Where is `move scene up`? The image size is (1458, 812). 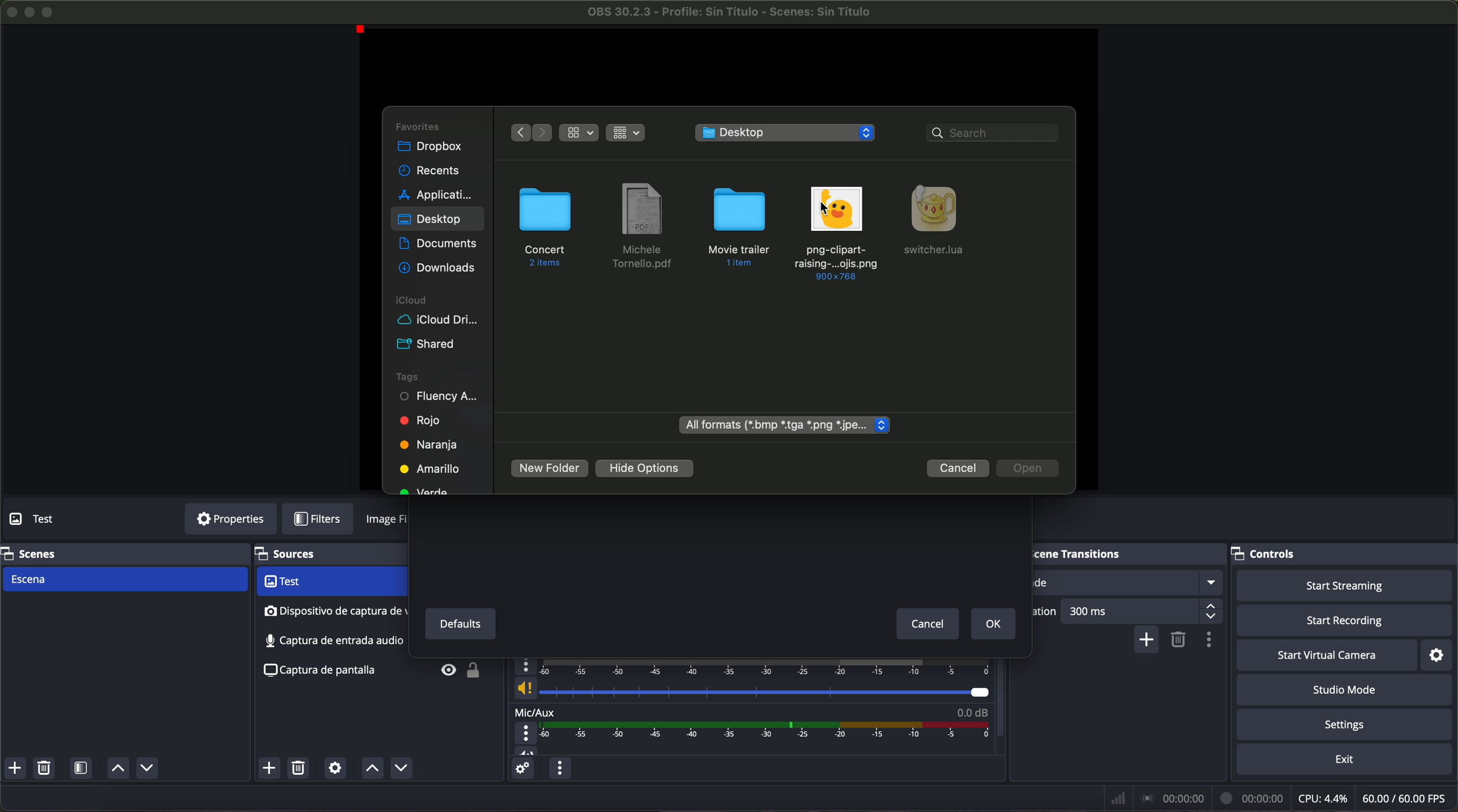
move scene up is located at coordinates (118, 769).